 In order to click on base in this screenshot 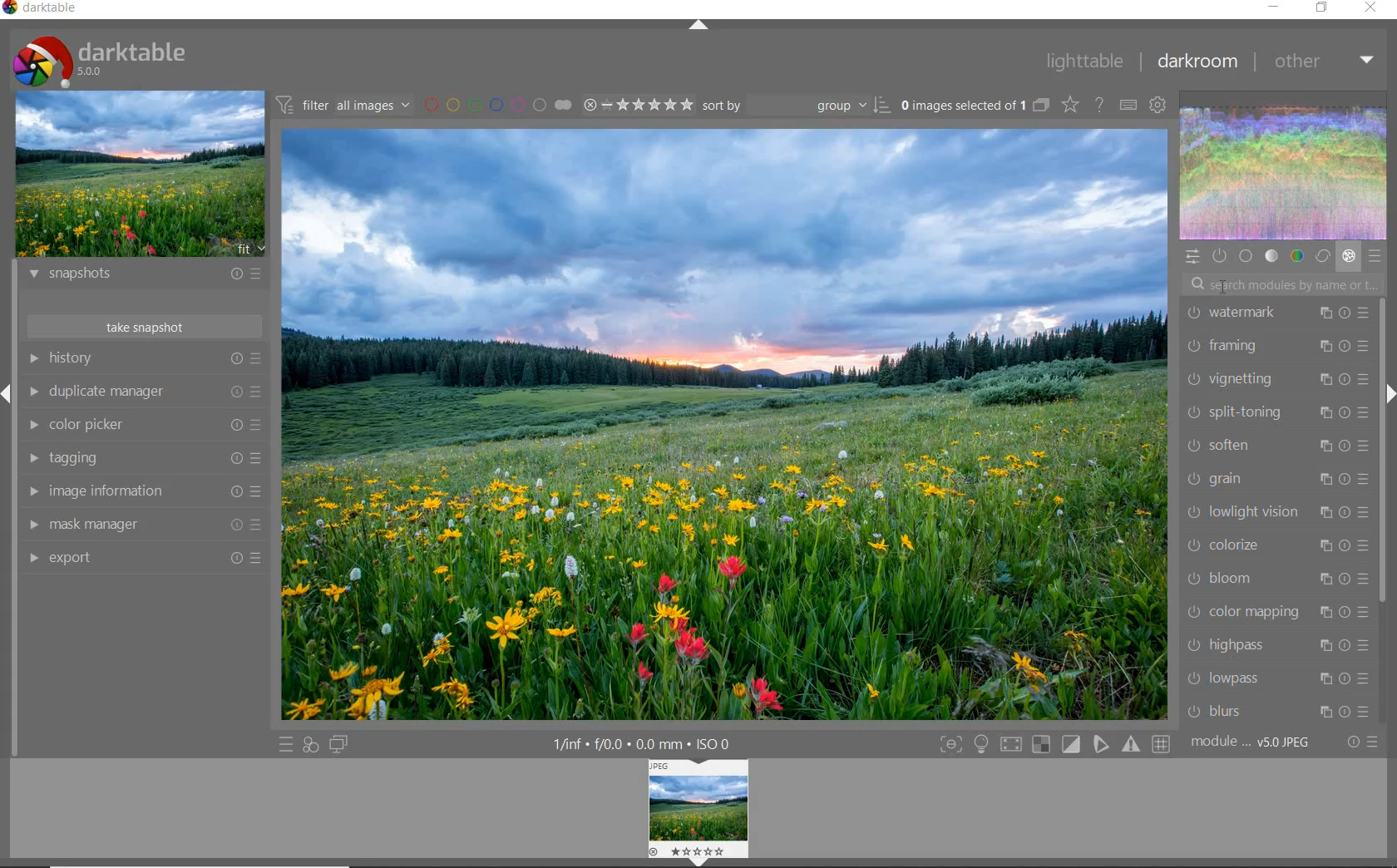, I will do `click(1247, 256)`.